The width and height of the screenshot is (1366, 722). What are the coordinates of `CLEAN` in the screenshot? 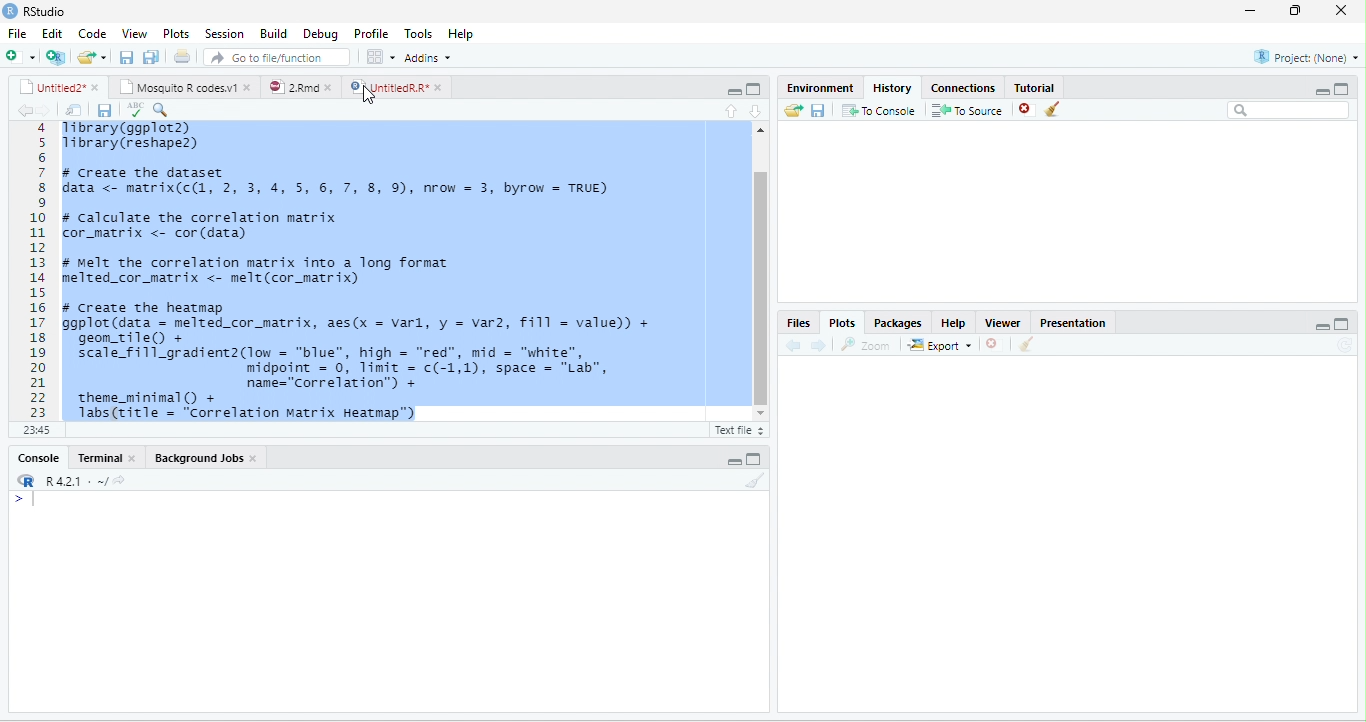 It's located at (1028, 346).